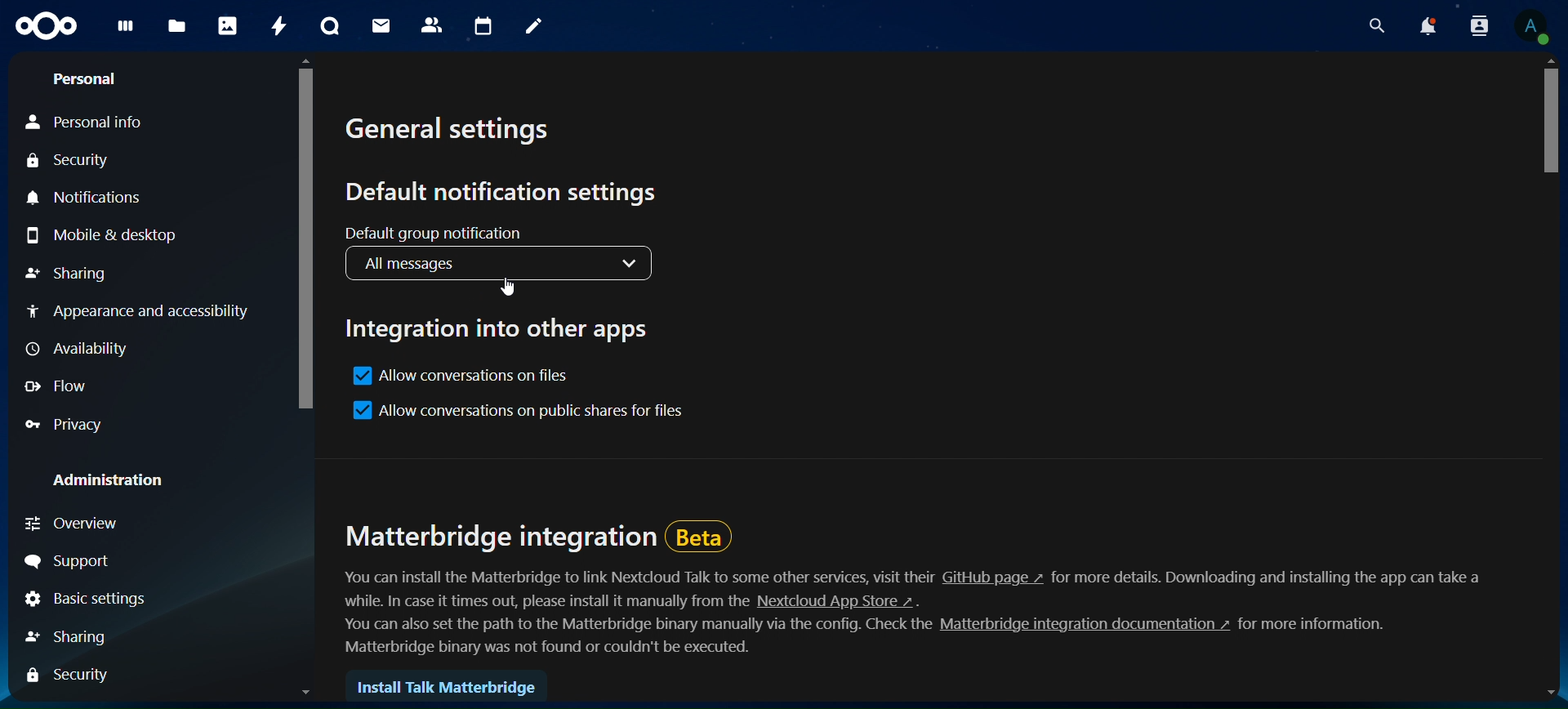 This screenshot has height=709, width=1568. What do you see at coordinates (100, 231) in the screenshot?
I see `mobile & desktop` at bounding box center [100, 231].